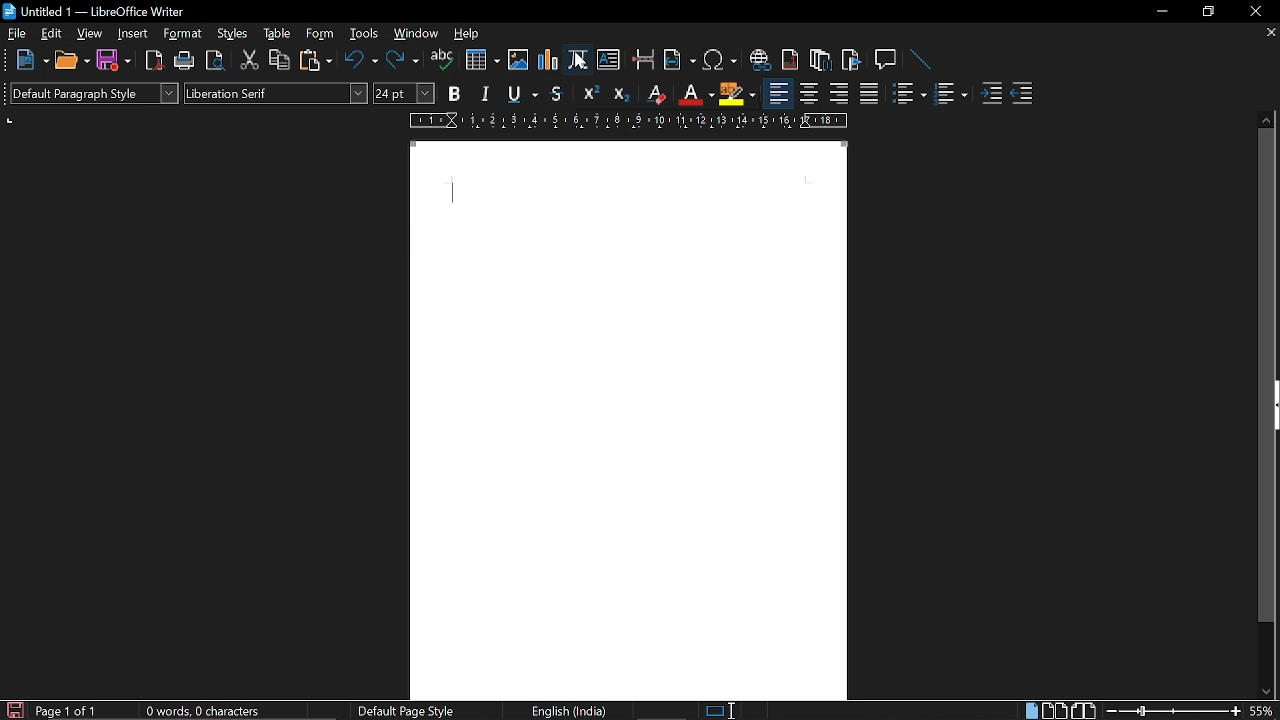 Image resolution: width=1280 pixels, height=720 pixels. Describe the element at coordinates (911, 95) in the screenshot. I see `toggle ordered list` at that location.